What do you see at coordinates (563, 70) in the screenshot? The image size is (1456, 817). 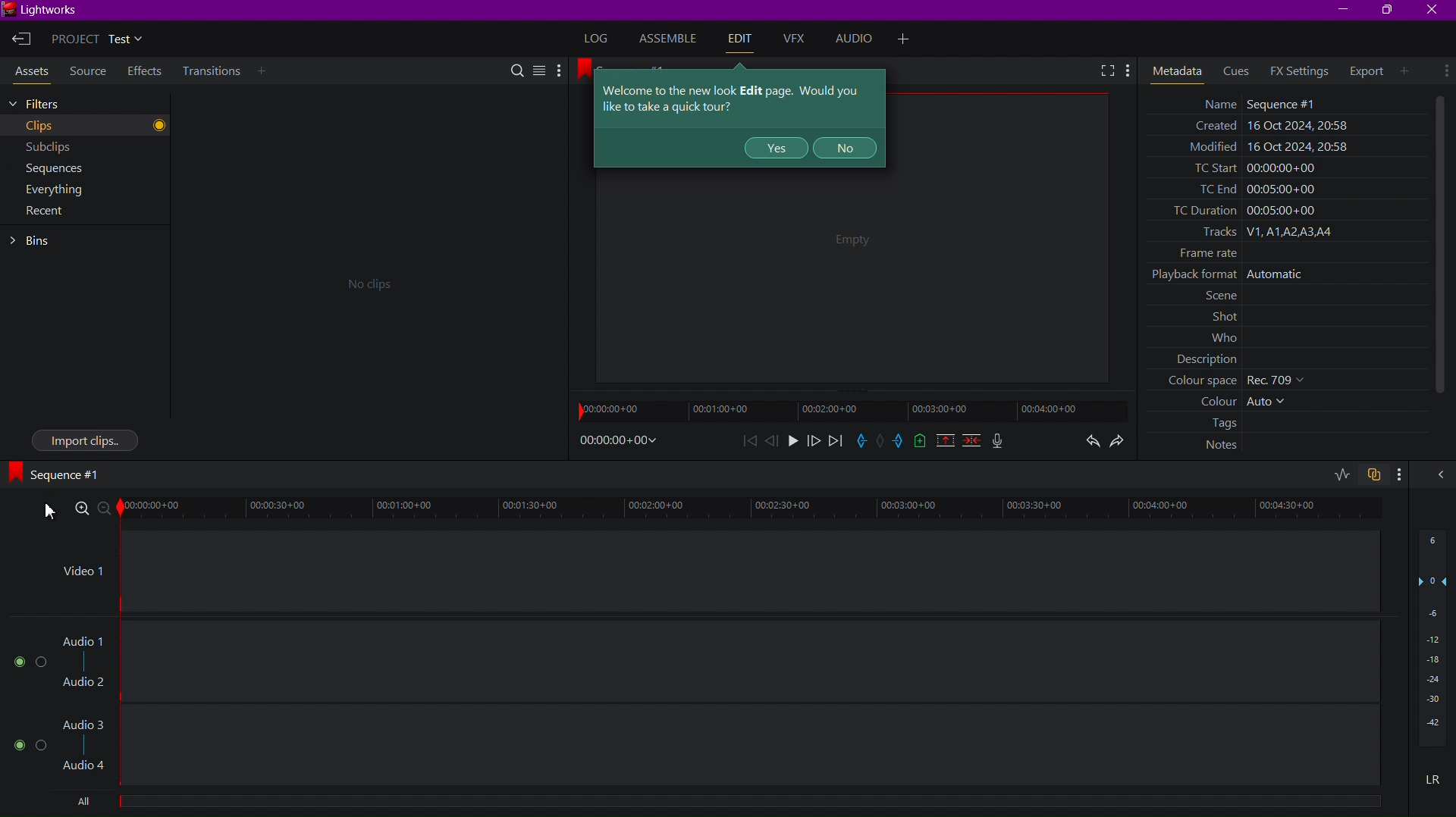 I see `More` at bounding box center [563, 70].